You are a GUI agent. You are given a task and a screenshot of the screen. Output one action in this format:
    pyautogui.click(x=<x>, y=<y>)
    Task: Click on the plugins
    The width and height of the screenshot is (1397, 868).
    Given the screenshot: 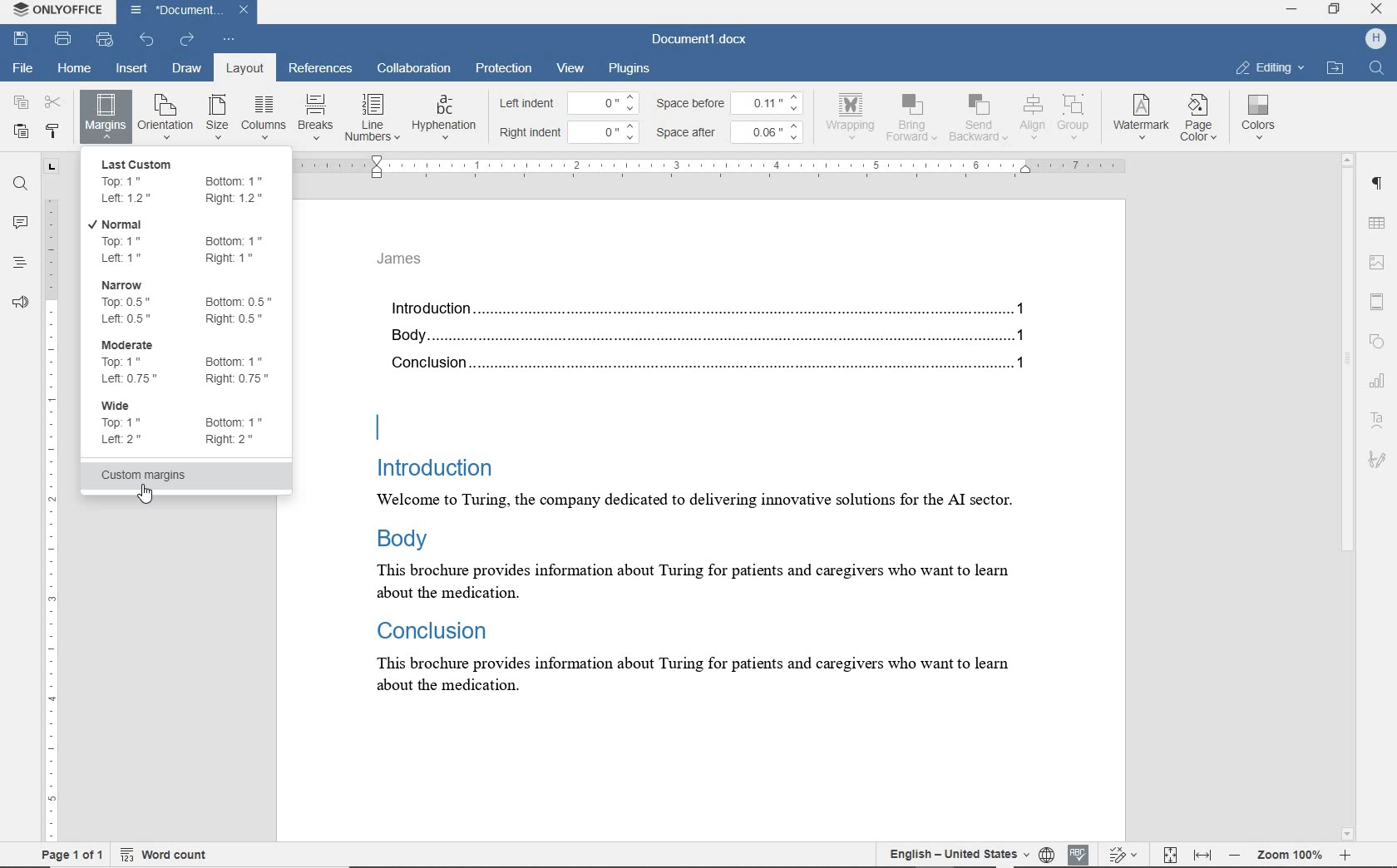 What is the action you would take?
    pyautogui.click(x=632, y=67)
    